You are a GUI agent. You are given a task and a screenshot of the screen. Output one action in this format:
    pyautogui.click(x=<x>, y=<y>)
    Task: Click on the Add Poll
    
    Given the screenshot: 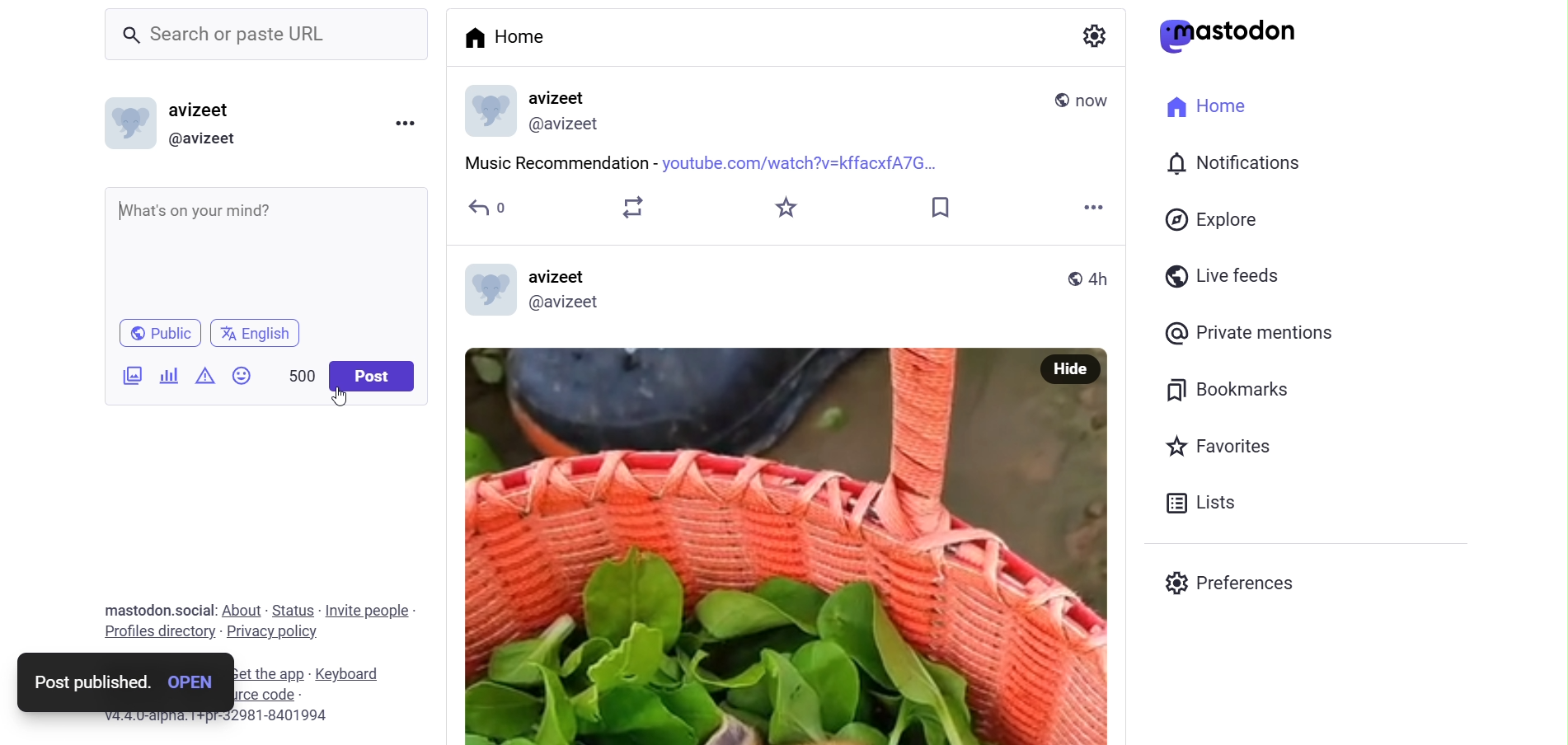 What is the action you would take?
    pyautogui.click(x=168, y=374)
    